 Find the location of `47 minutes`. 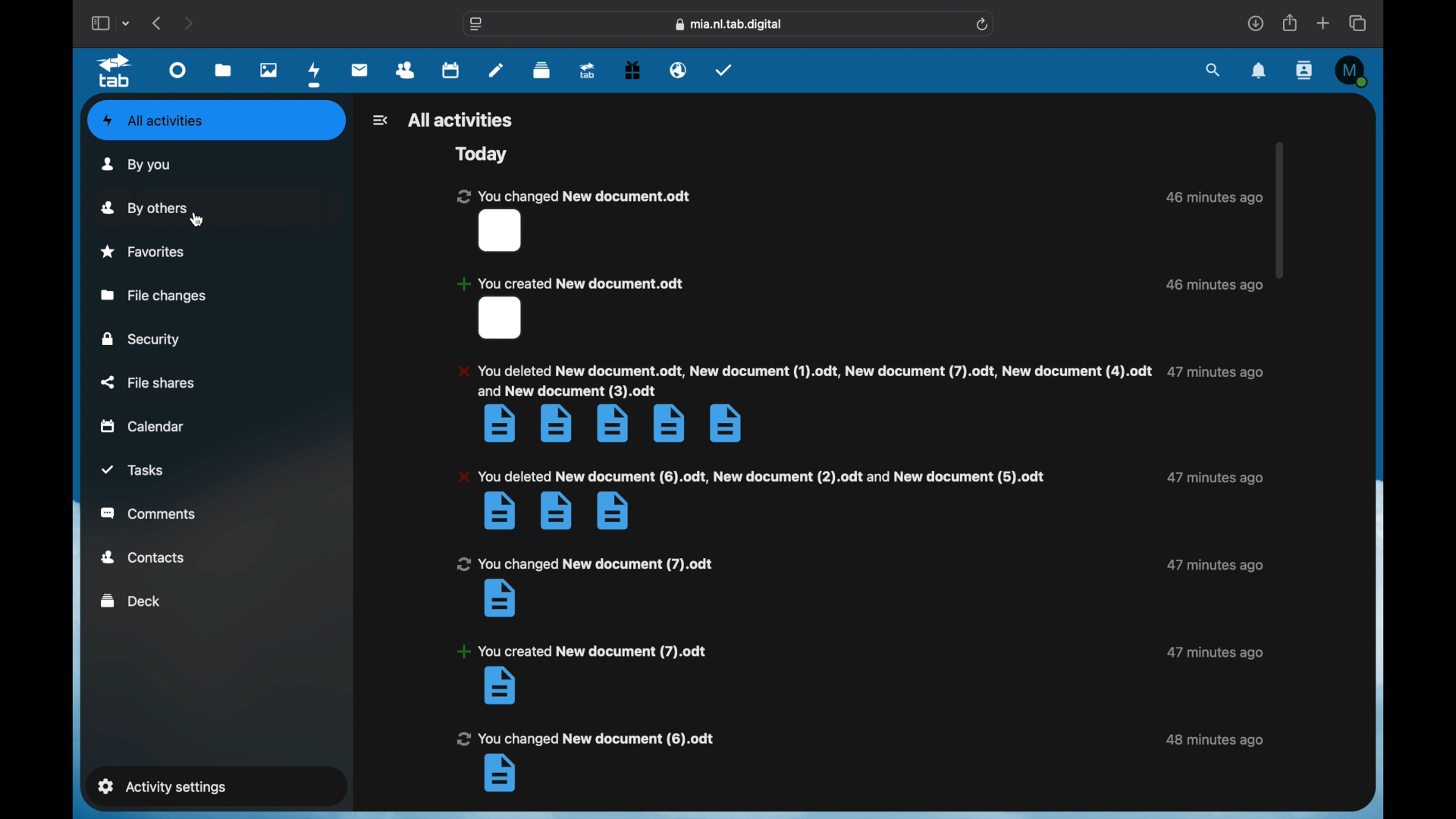

47 minutes is located at coordinates (1216, 478).